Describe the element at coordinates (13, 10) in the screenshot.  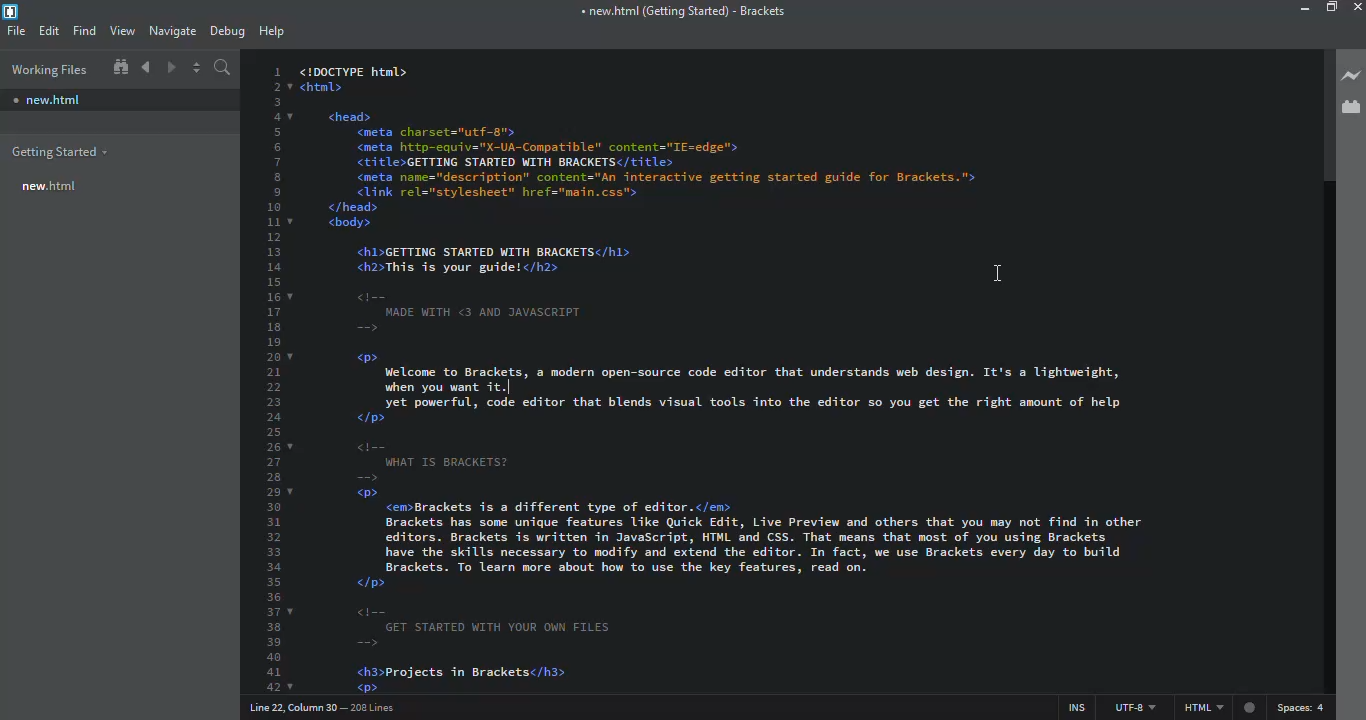
I see `brackets` at that location.